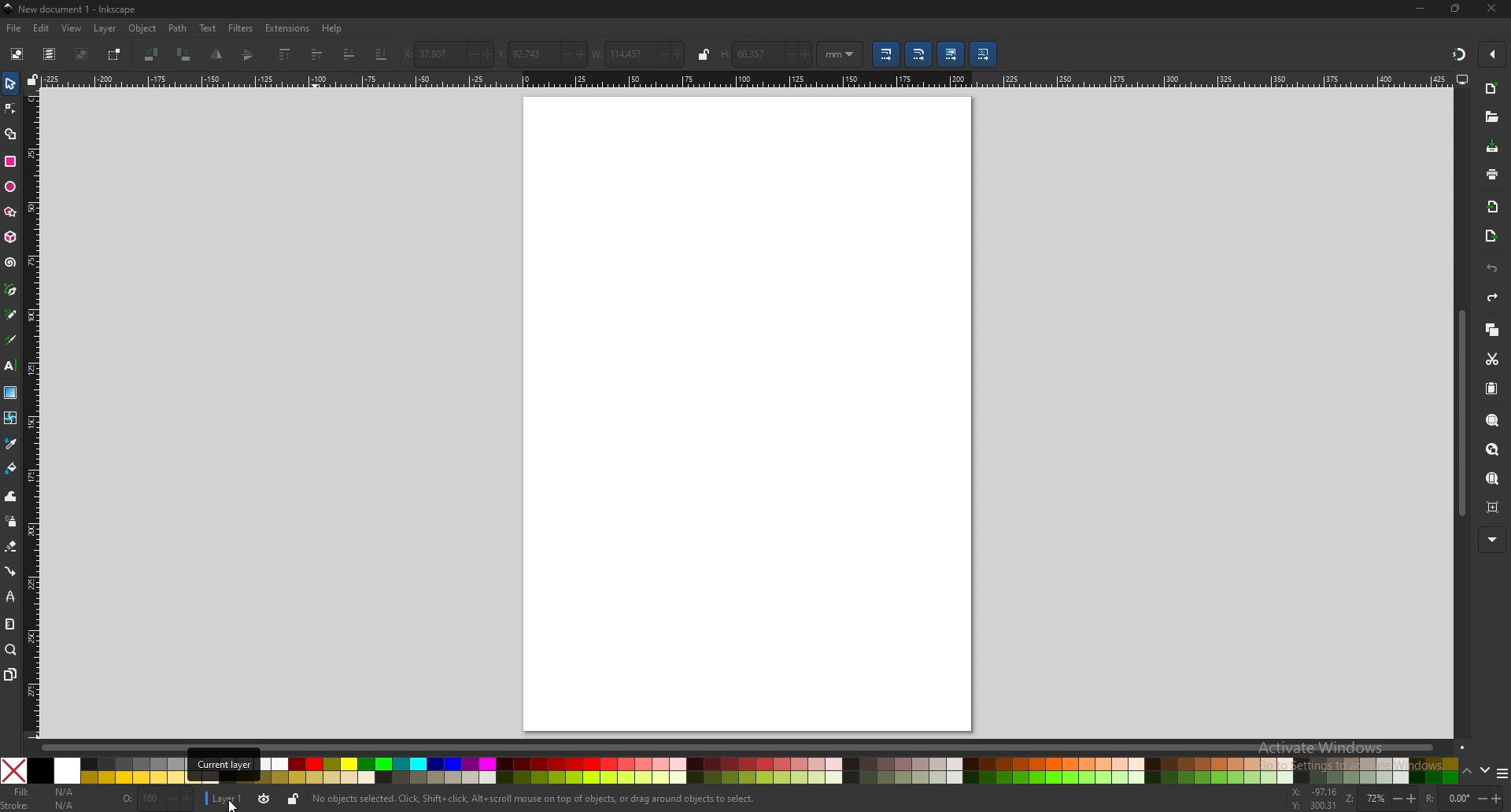 The height and width of the screenshot is (812, 1511). What do you see at coordinates (984, 54) in the screenshot?
I see `move patterns` at bounding box center [984, 54].